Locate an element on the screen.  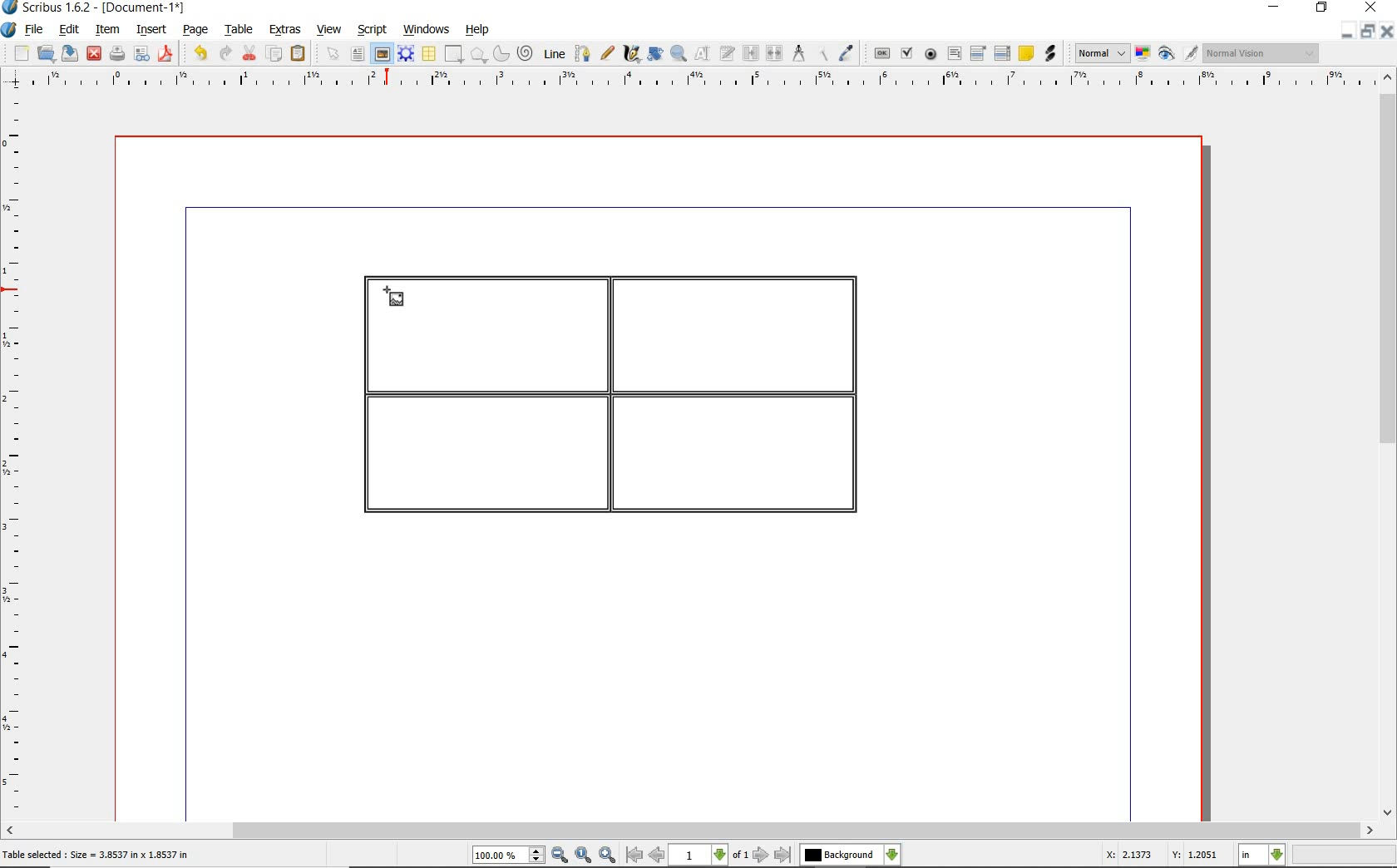
rotate item is located at coordinates (654, 55).